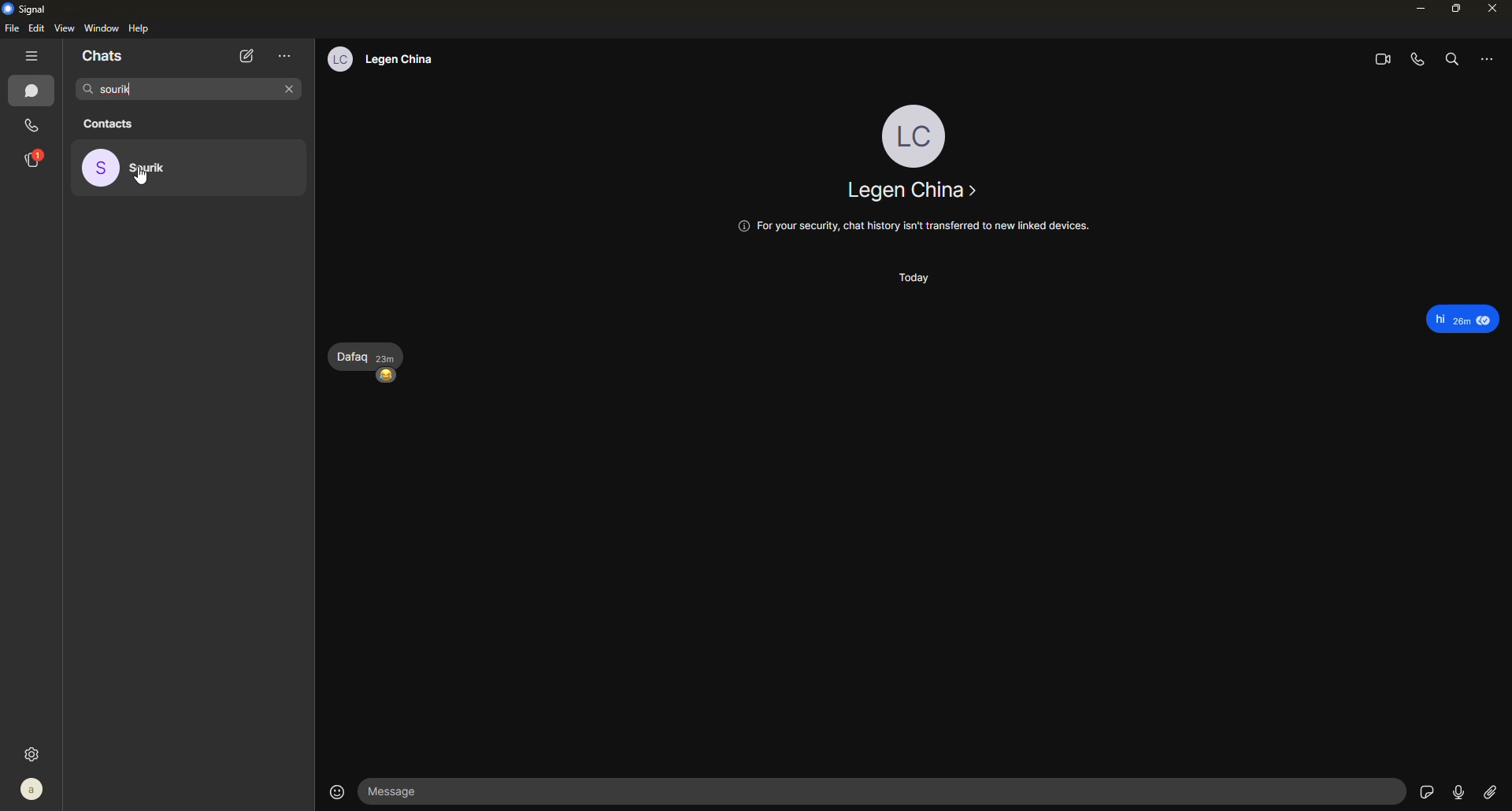 The width and height of the screenshot is (1512, 811). I want to click on minimize, so click(1415, 9).